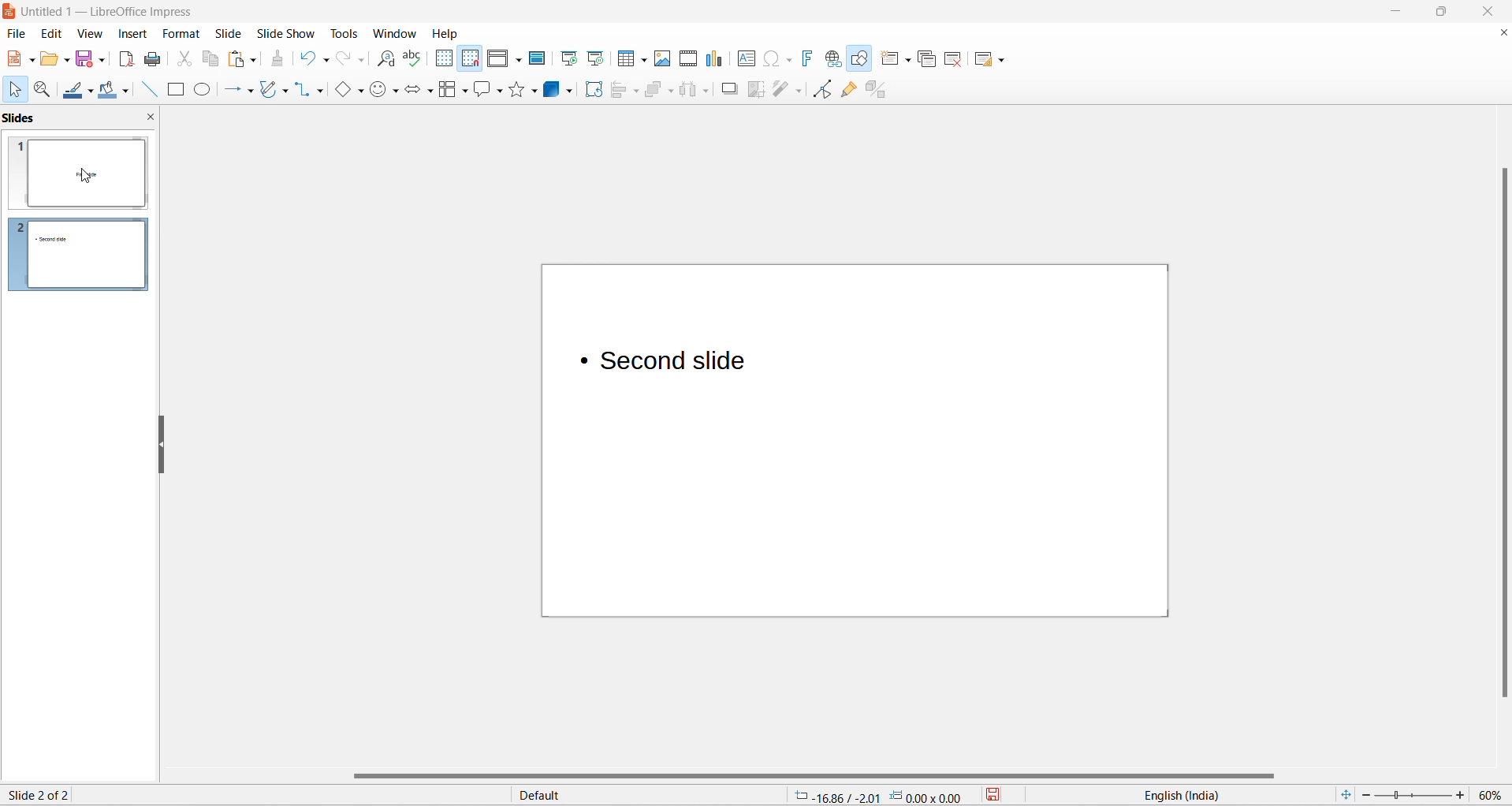 The image size is (1512, 806). What do you see at coordinates (88, 254) in the screenshot?
I see `slides and slide number` at bounding box center [88, 254].